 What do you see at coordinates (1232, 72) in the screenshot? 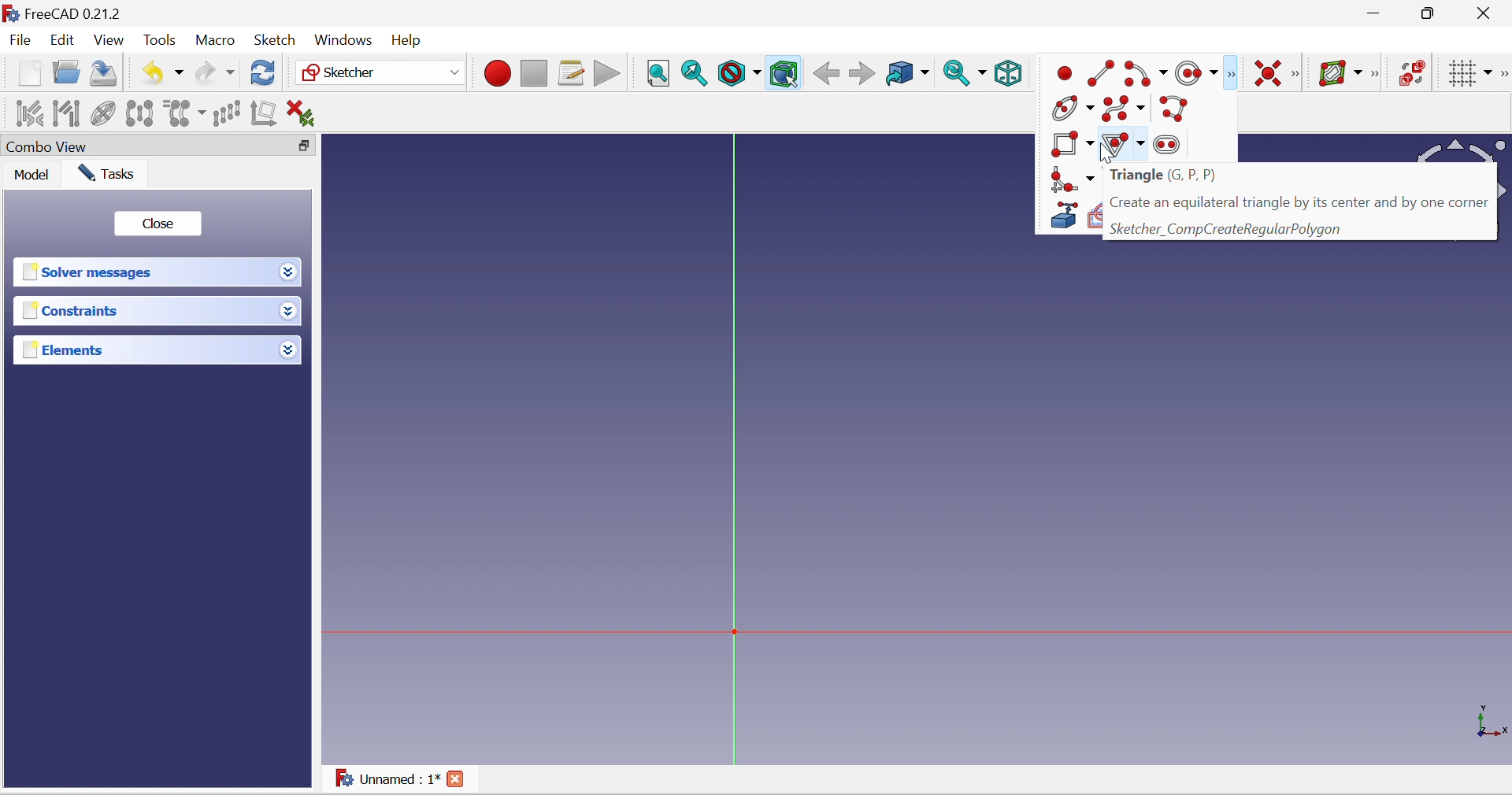
I see `[Sketcher geometries]` at bounding box center [1232, 72].